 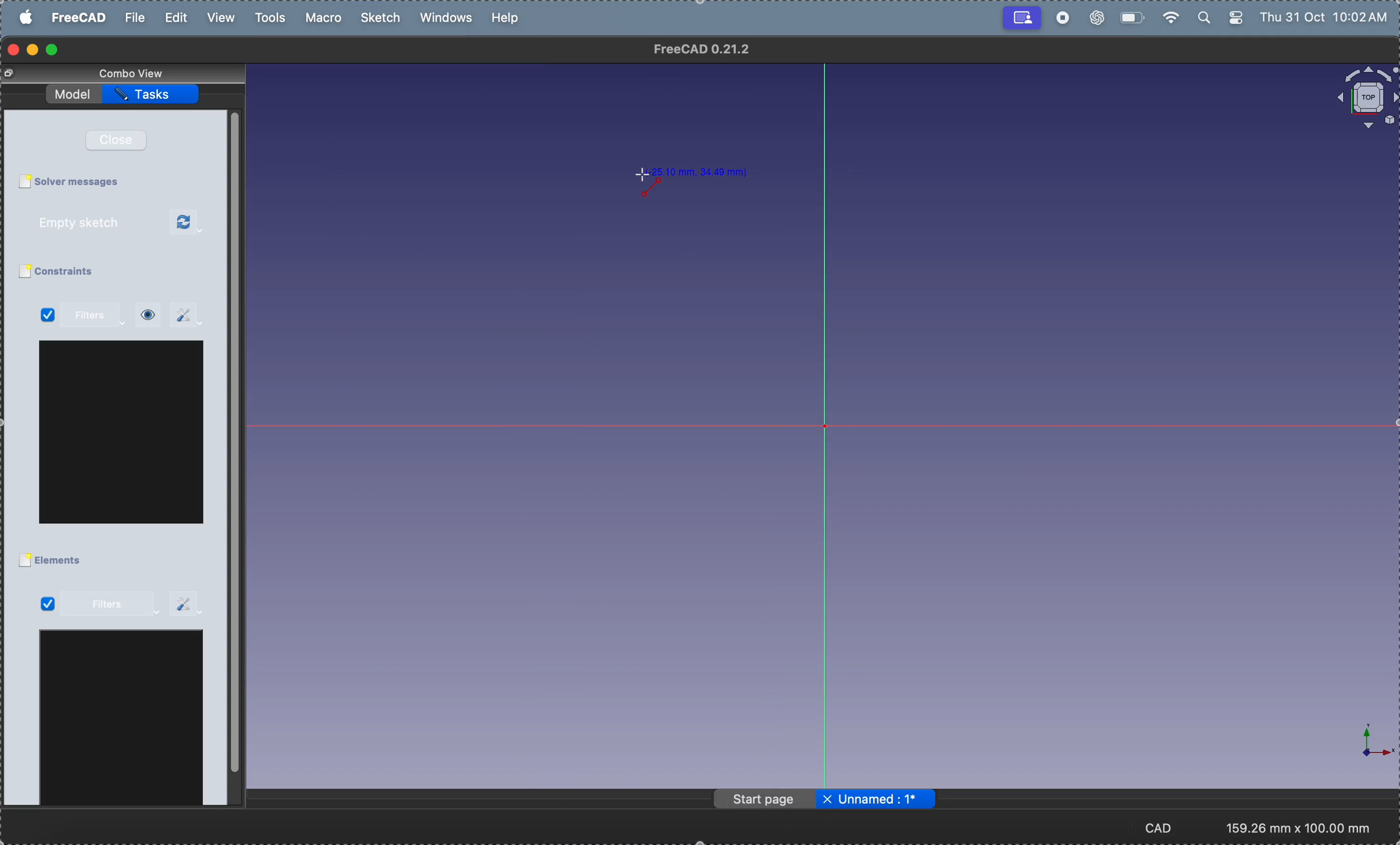 I want to click on free cad, so click(x=81, y=17).